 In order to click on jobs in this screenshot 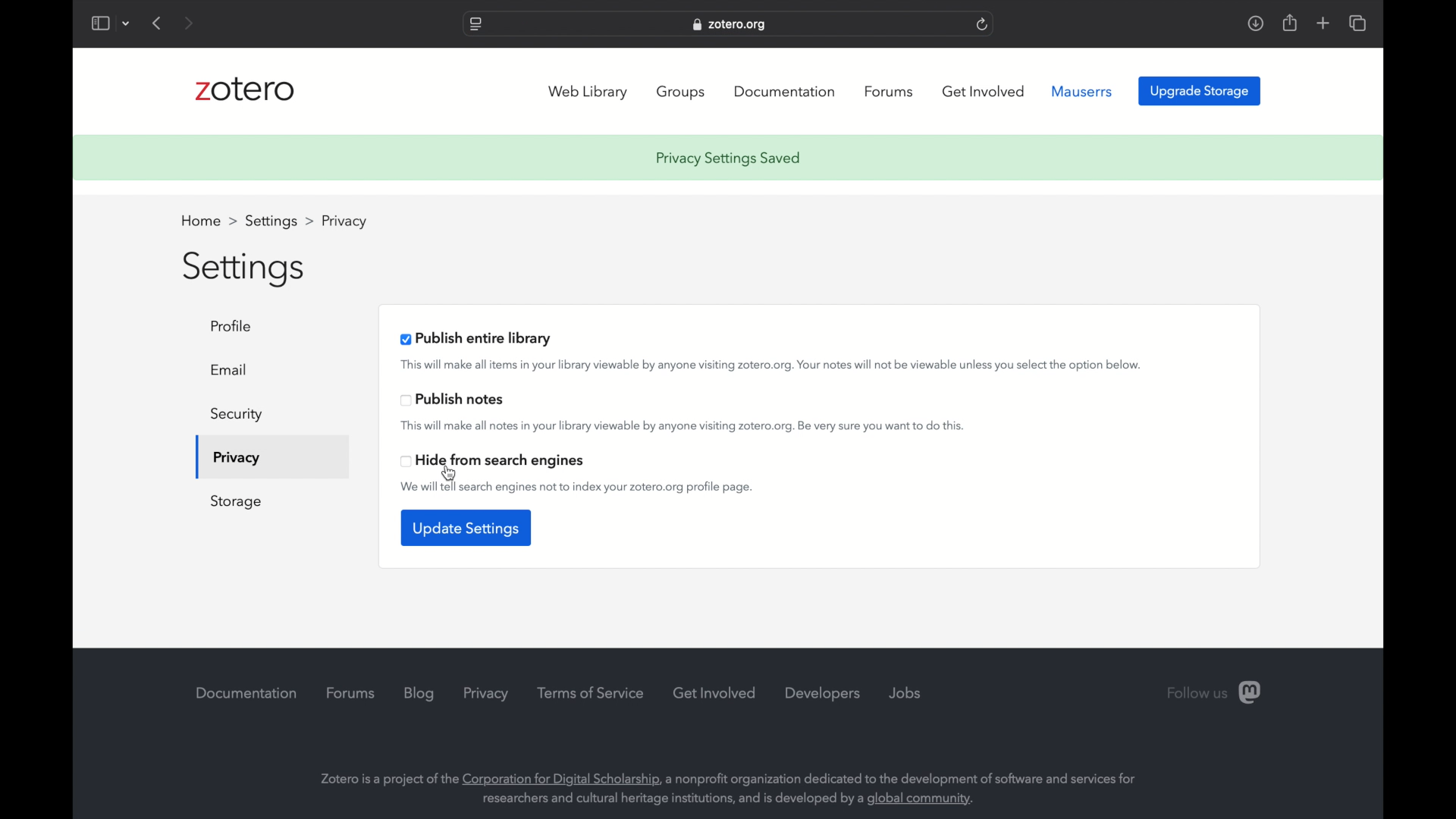, I will do `click(905, 691)`.